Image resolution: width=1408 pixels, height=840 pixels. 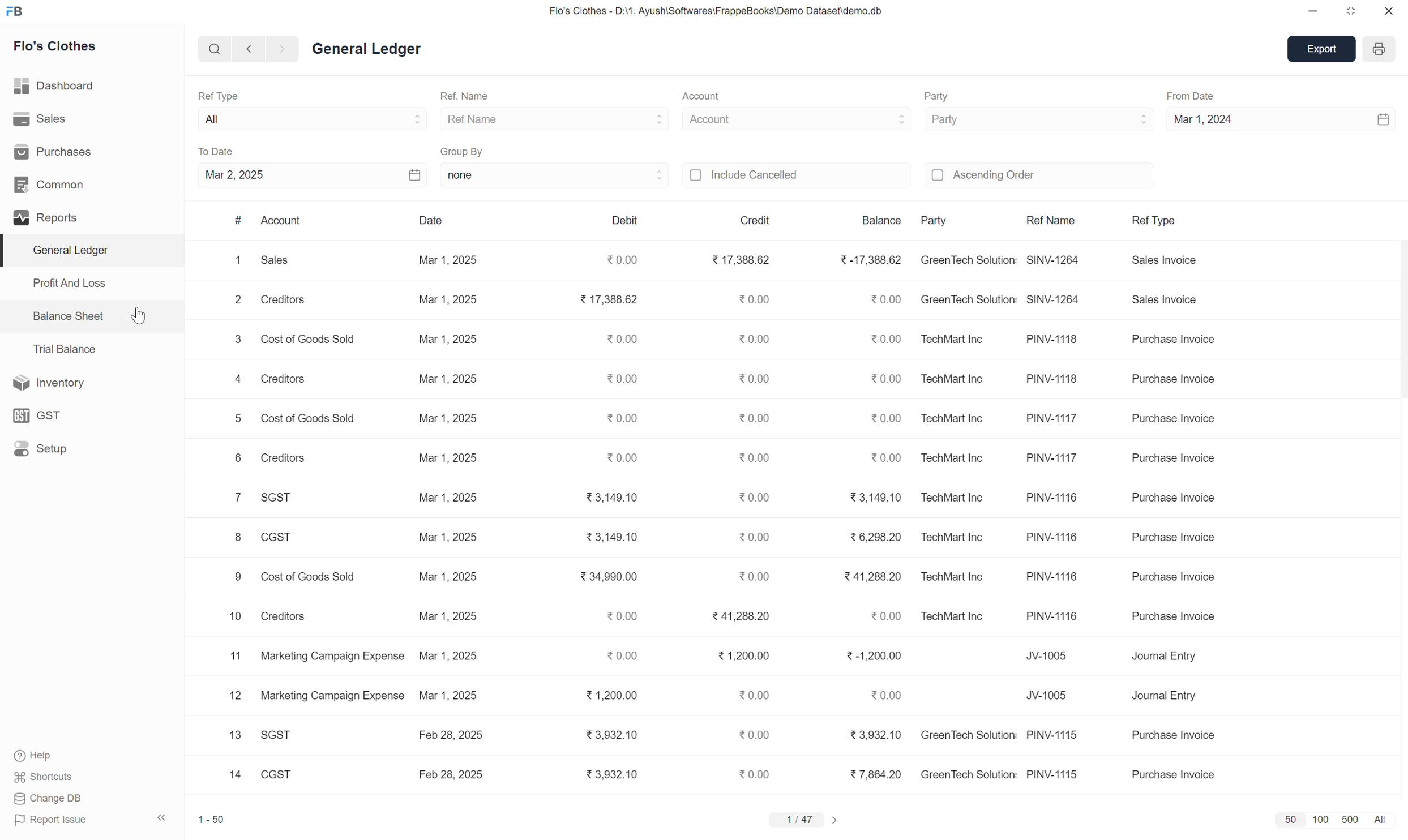 I want to click on 41,288.20, so click(x=866, y=577).